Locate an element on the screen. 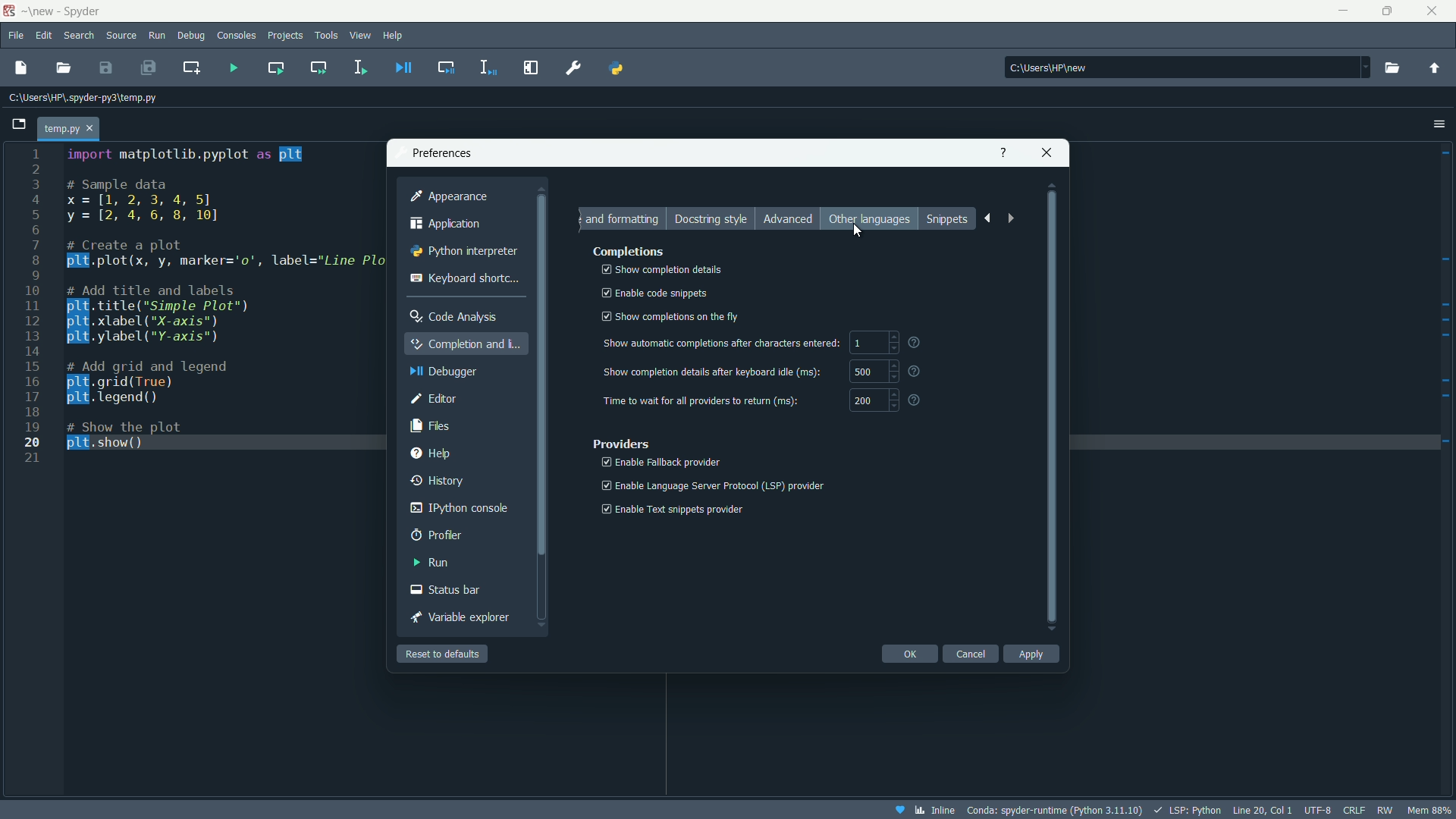 The image size is (1456, 819). cursor position is located at coordinates (1263, 809).